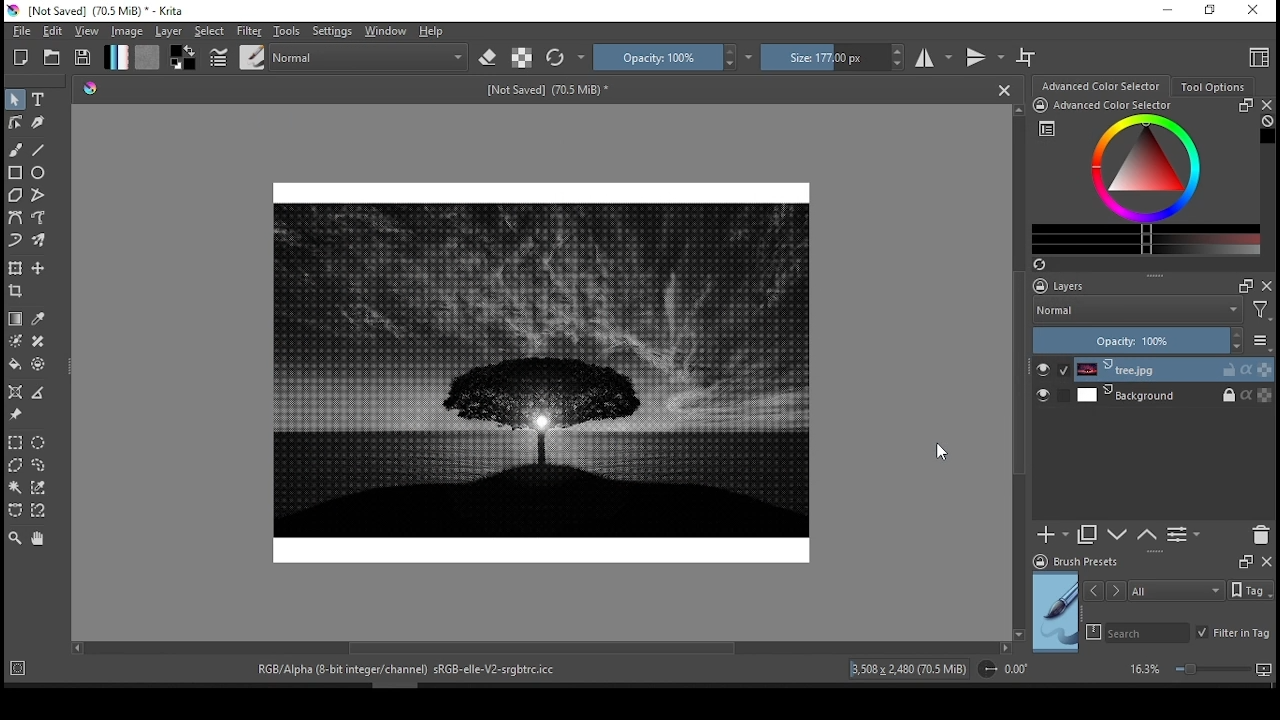 This screenshot has width=1280, height=720. I want to click on similar color selection tool, so click(38, 487).